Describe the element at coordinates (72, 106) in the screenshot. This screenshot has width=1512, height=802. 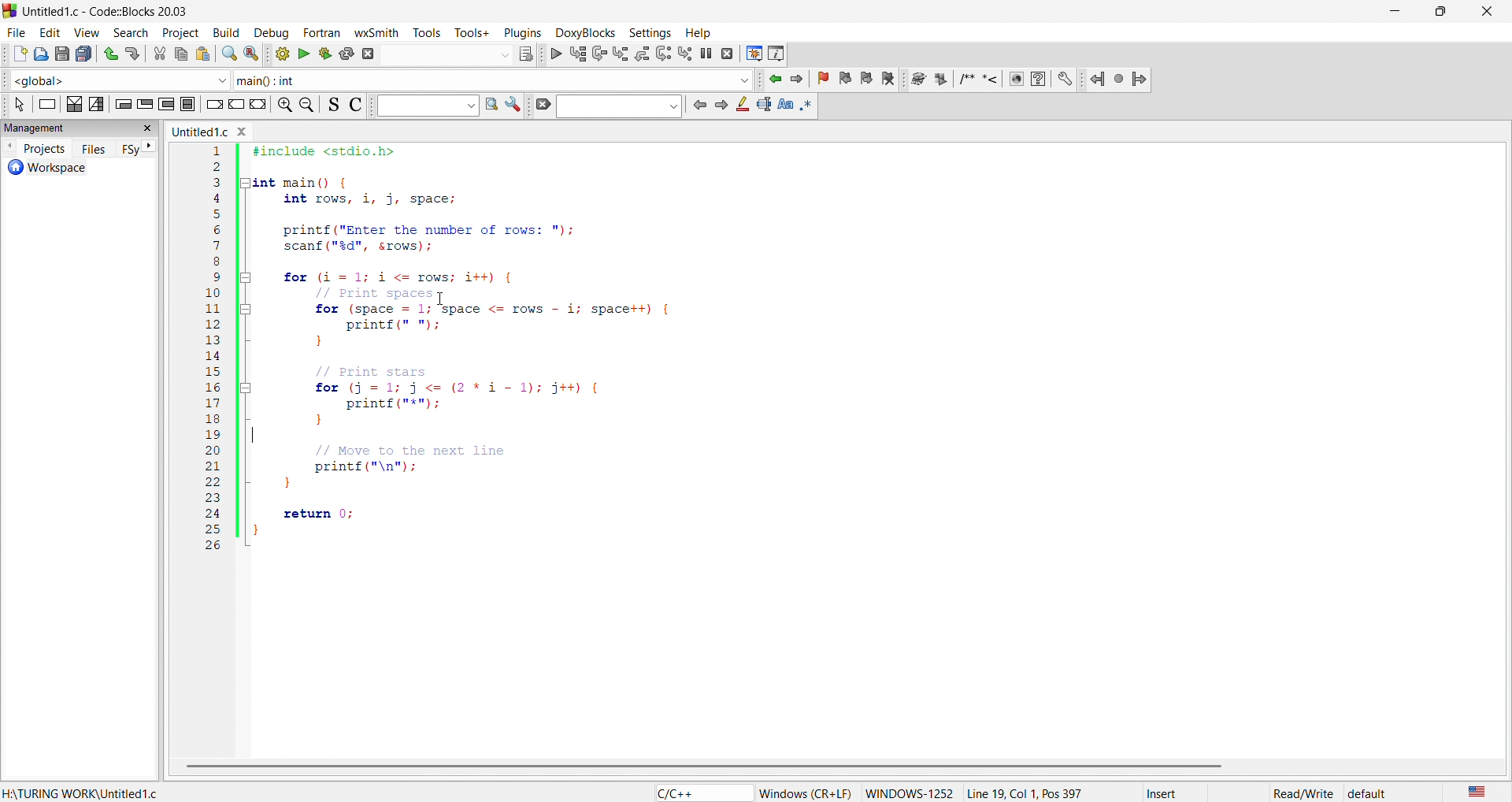
I see `decision` at that location.